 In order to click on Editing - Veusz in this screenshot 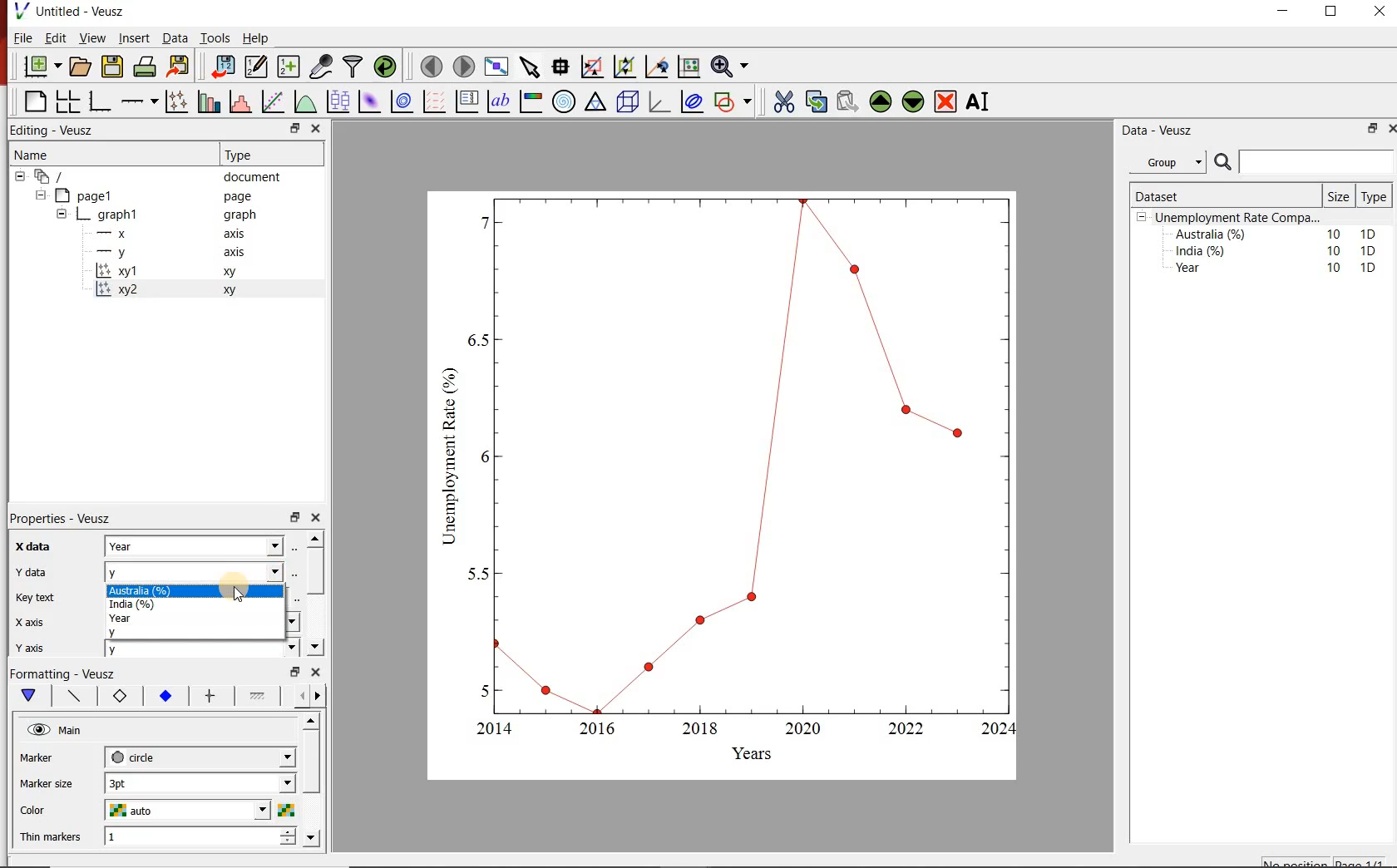, I will do `click(55, 129)`.